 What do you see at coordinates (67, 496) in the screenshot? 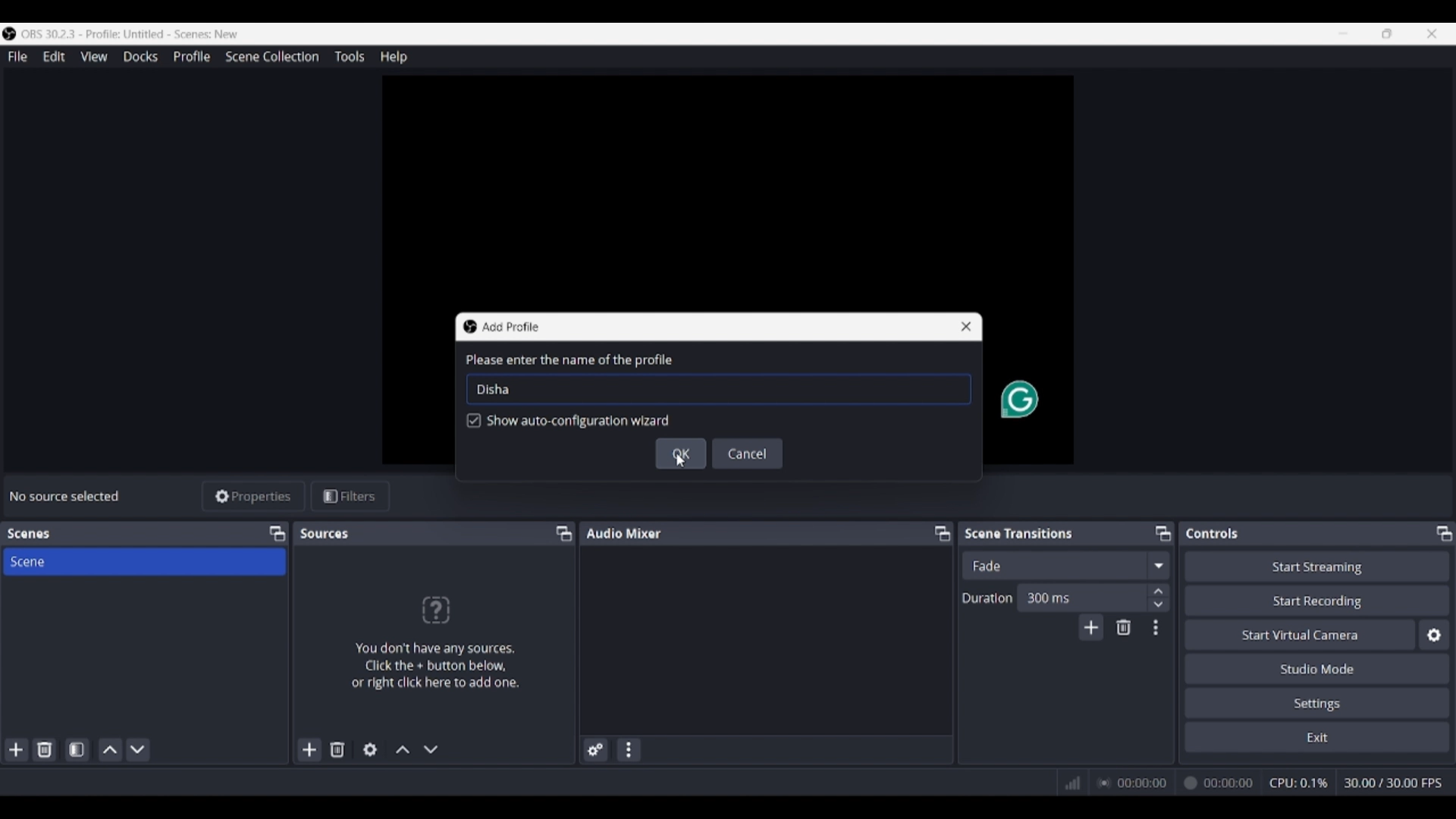
I see `Source status` at bounding box center [67, 496].